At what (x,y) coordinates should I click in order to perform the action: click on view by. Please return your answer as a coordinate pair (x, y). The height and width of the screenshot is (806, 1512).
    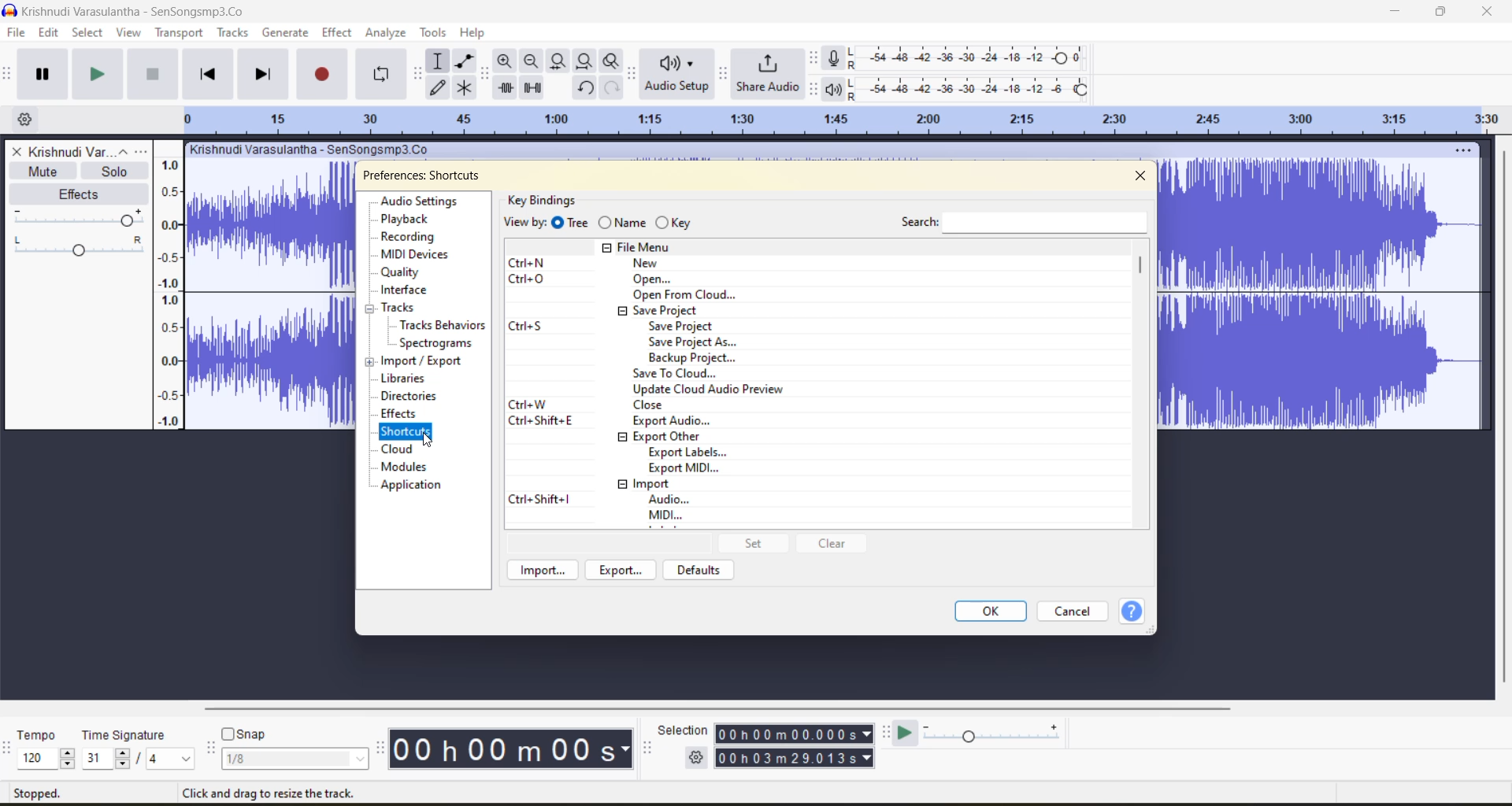
    Looking at the image, I should click on (525, 222).